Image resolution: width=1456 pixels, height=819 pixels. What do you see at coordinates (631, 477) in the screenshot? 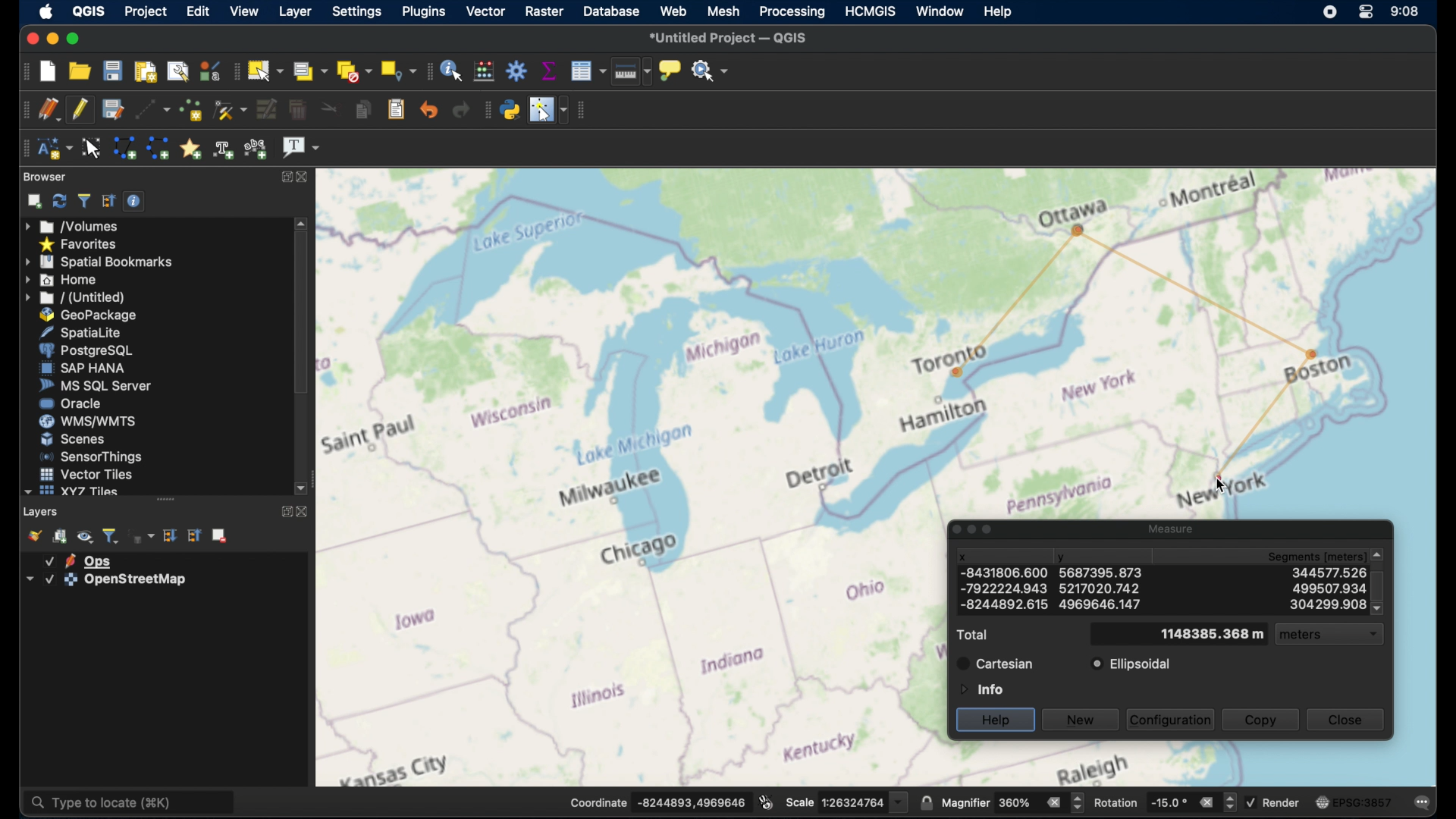
I see `open street map` at bounding box center [631, 477].